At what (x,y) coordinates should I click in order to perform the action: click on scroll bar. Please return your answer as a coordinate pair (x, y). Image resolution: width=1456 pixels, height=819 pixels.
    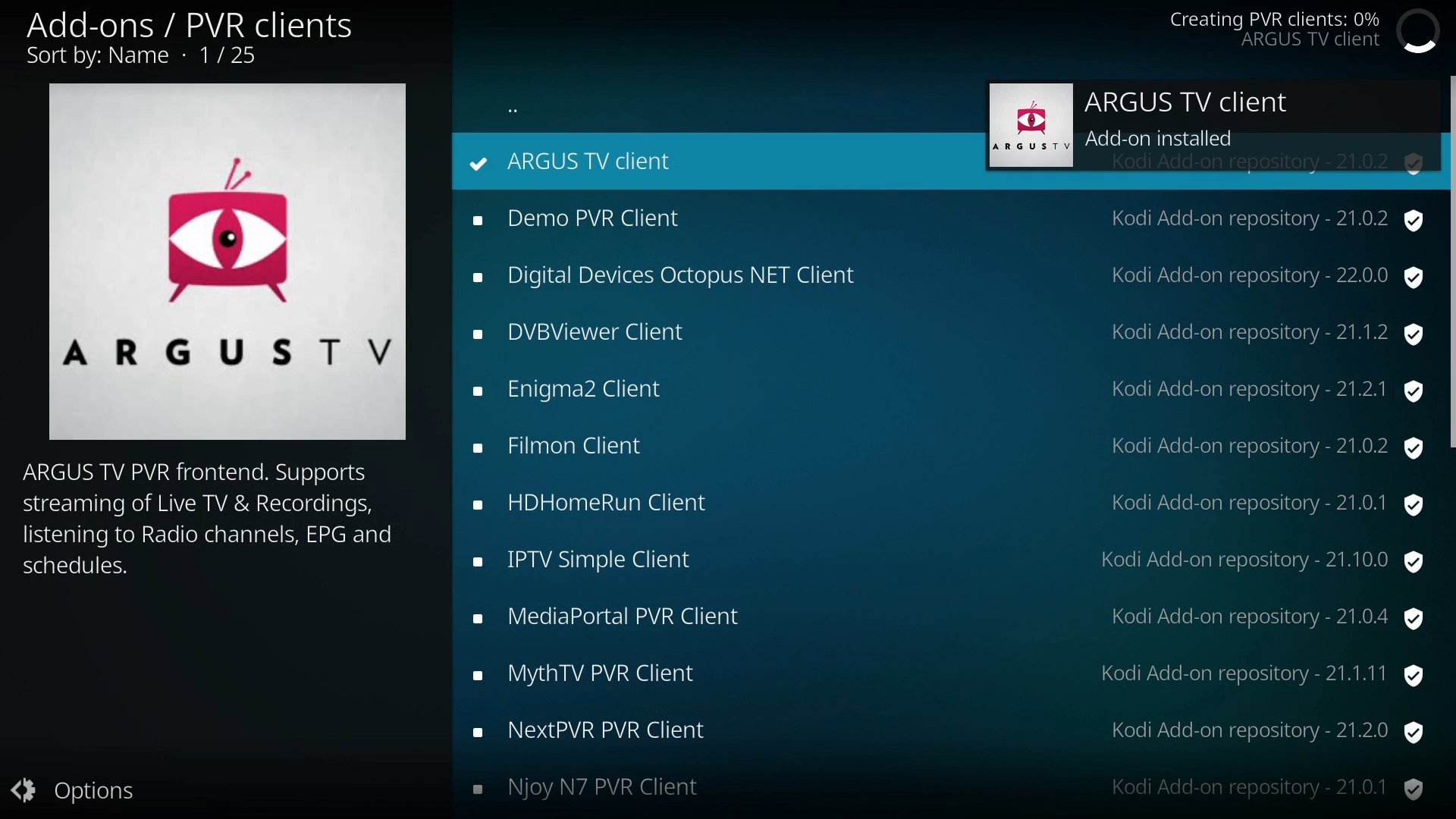
    Looking at the image, I should click on (1447, 266).